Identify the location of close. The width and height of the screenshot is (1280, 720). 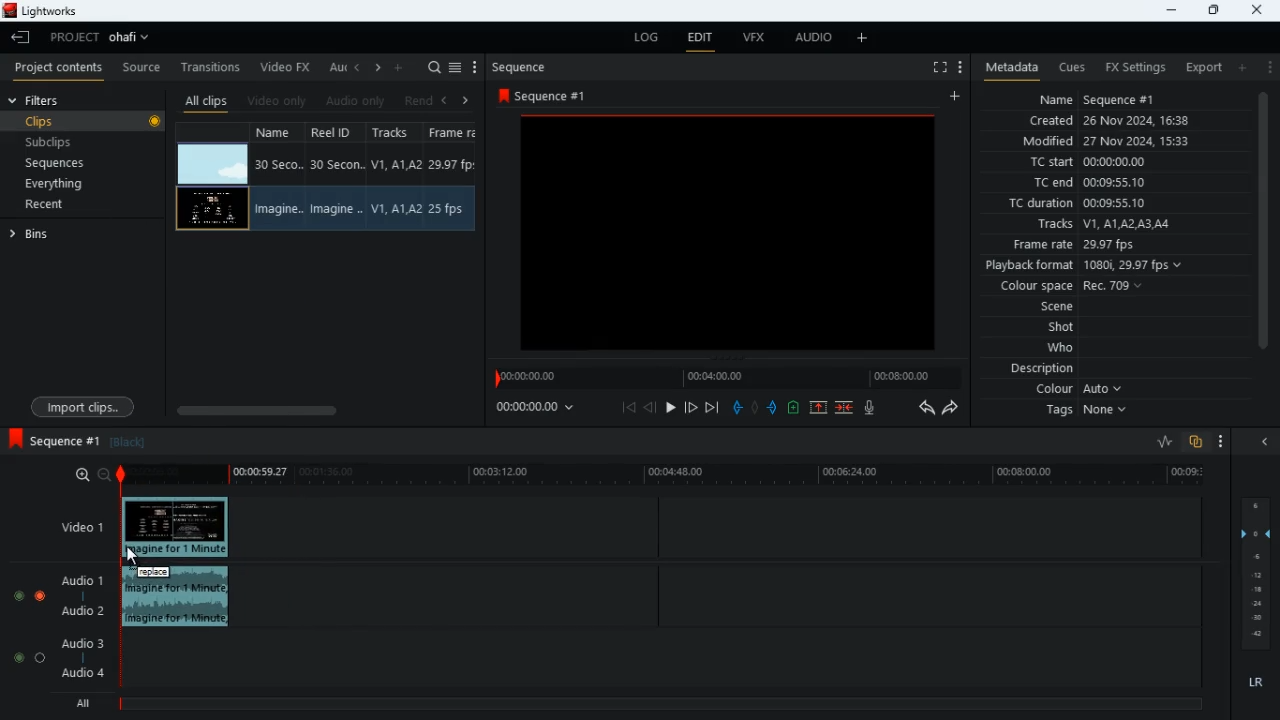
(1258, 8).